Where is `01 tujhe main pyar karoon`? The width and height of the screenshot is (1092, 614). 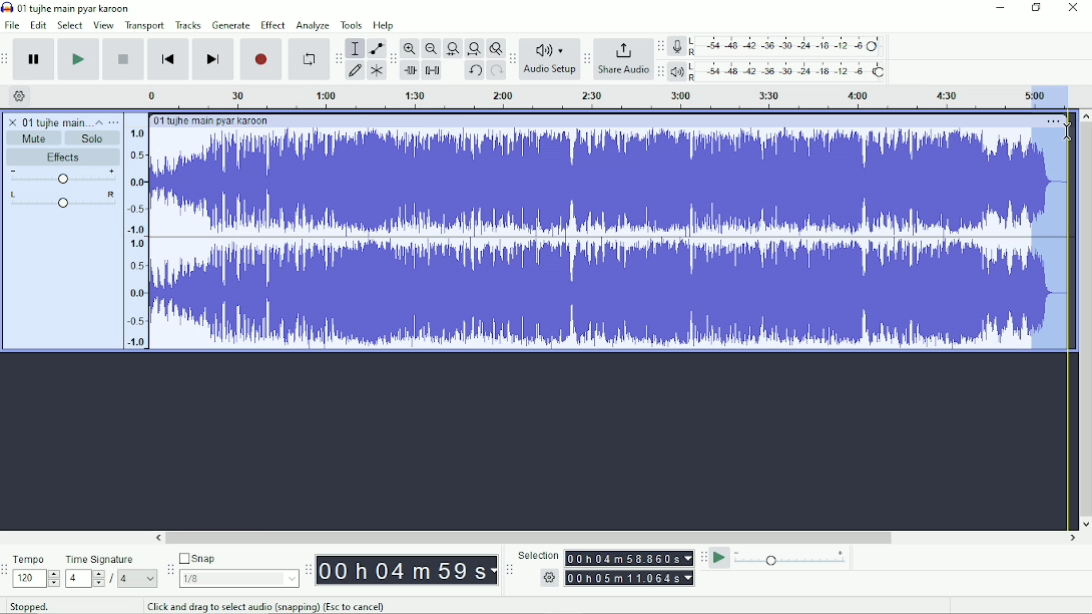 01 tujhe main pyar karoon is located at coordinates (76, 8).